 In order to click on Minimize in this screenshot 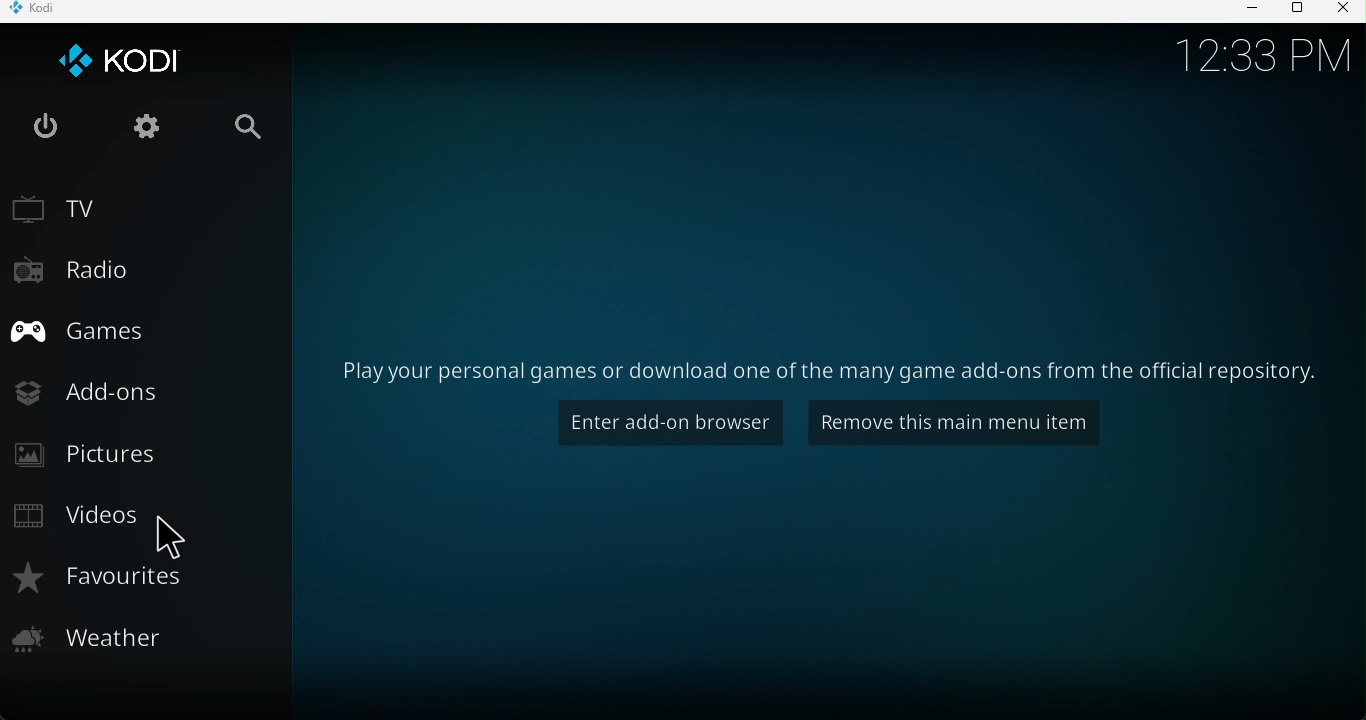, I will do `click(1255, 11)`.